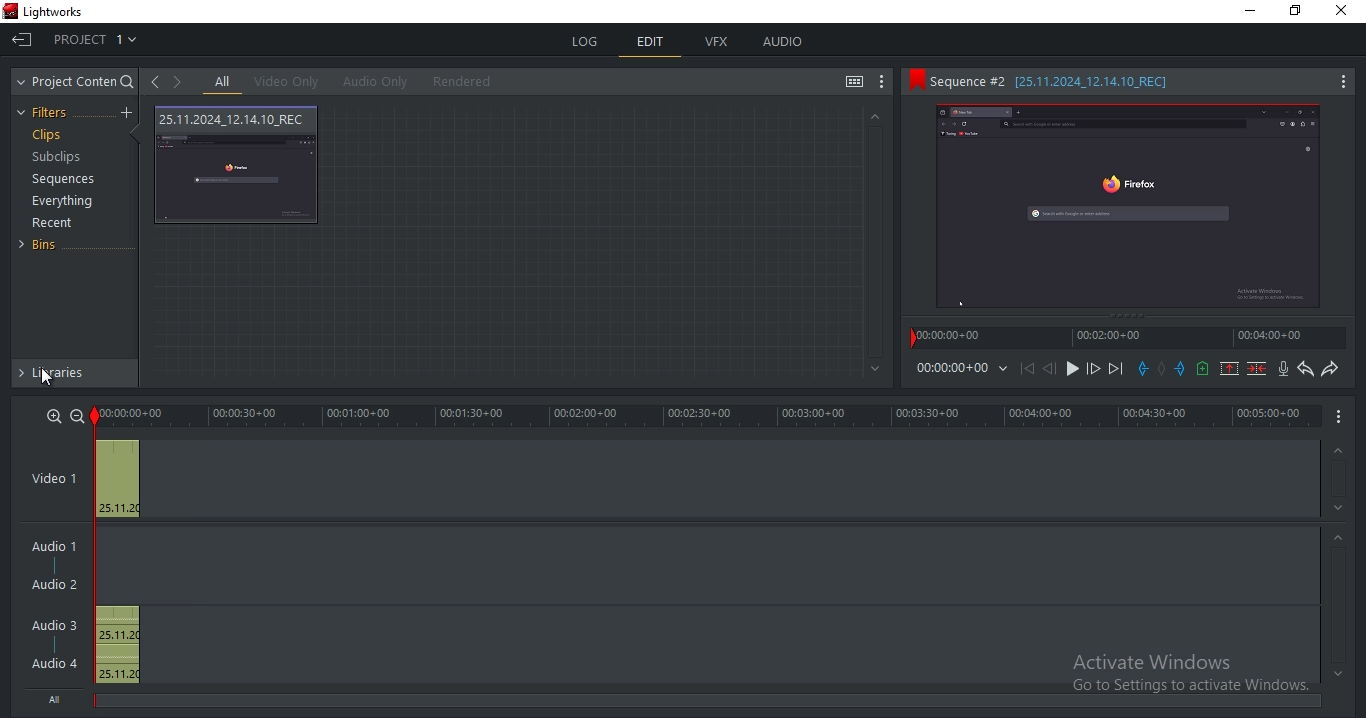  I want to click on close, so click(1346, 12).